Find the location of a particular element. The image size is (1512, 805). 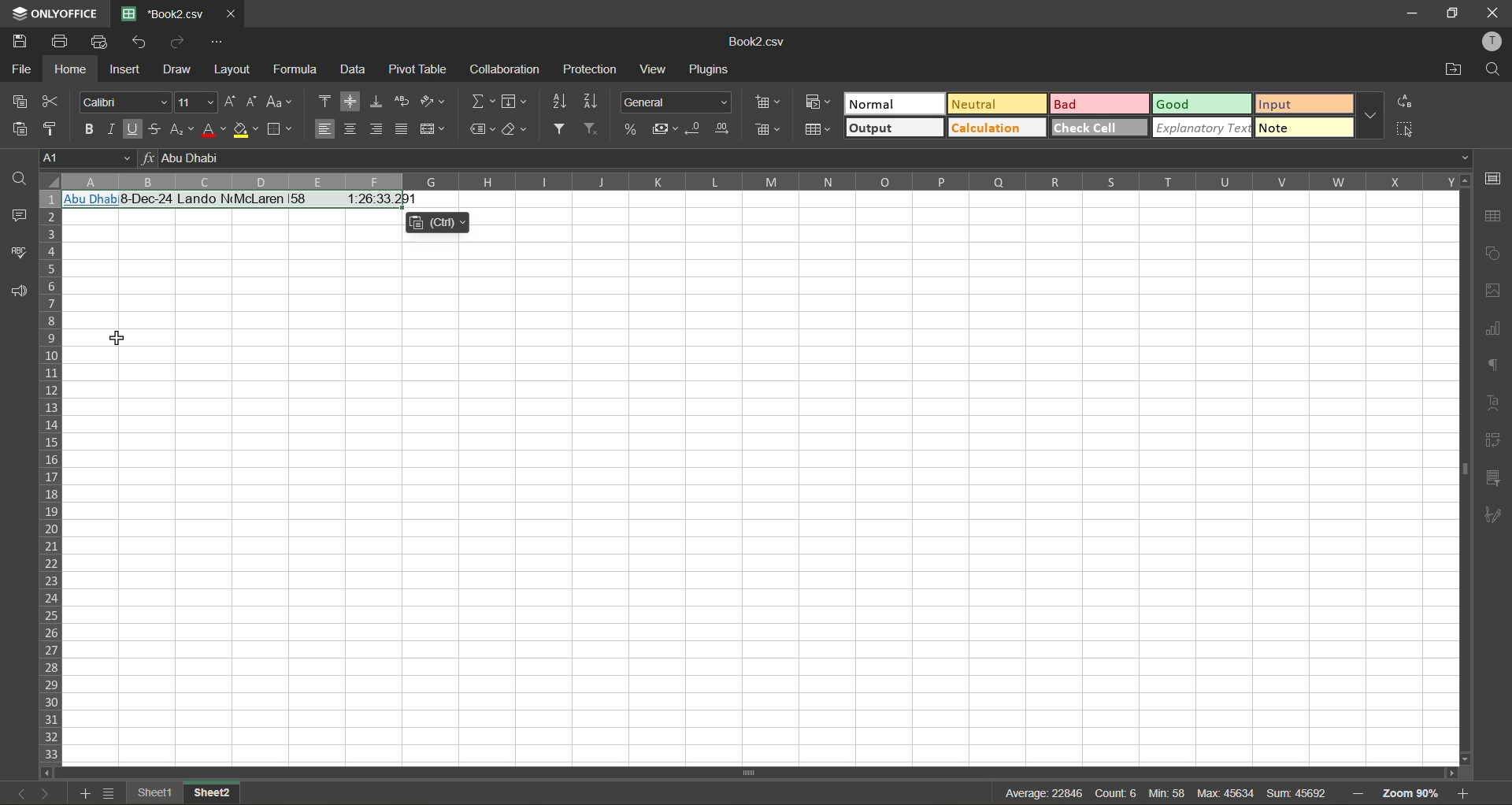

italic is located at coordinates (110, 128).